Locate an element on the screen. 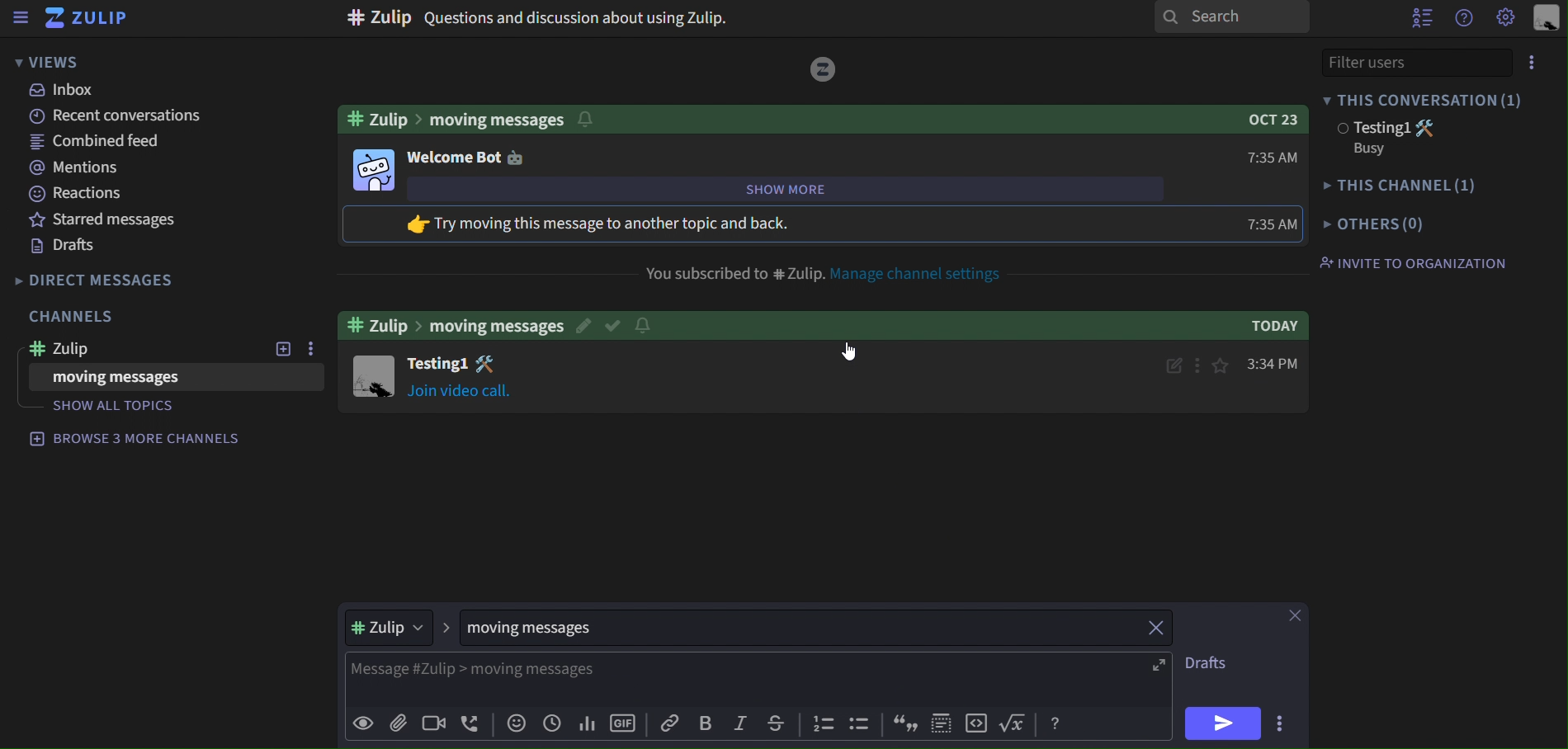  italic is located at coordinates (744, 724).